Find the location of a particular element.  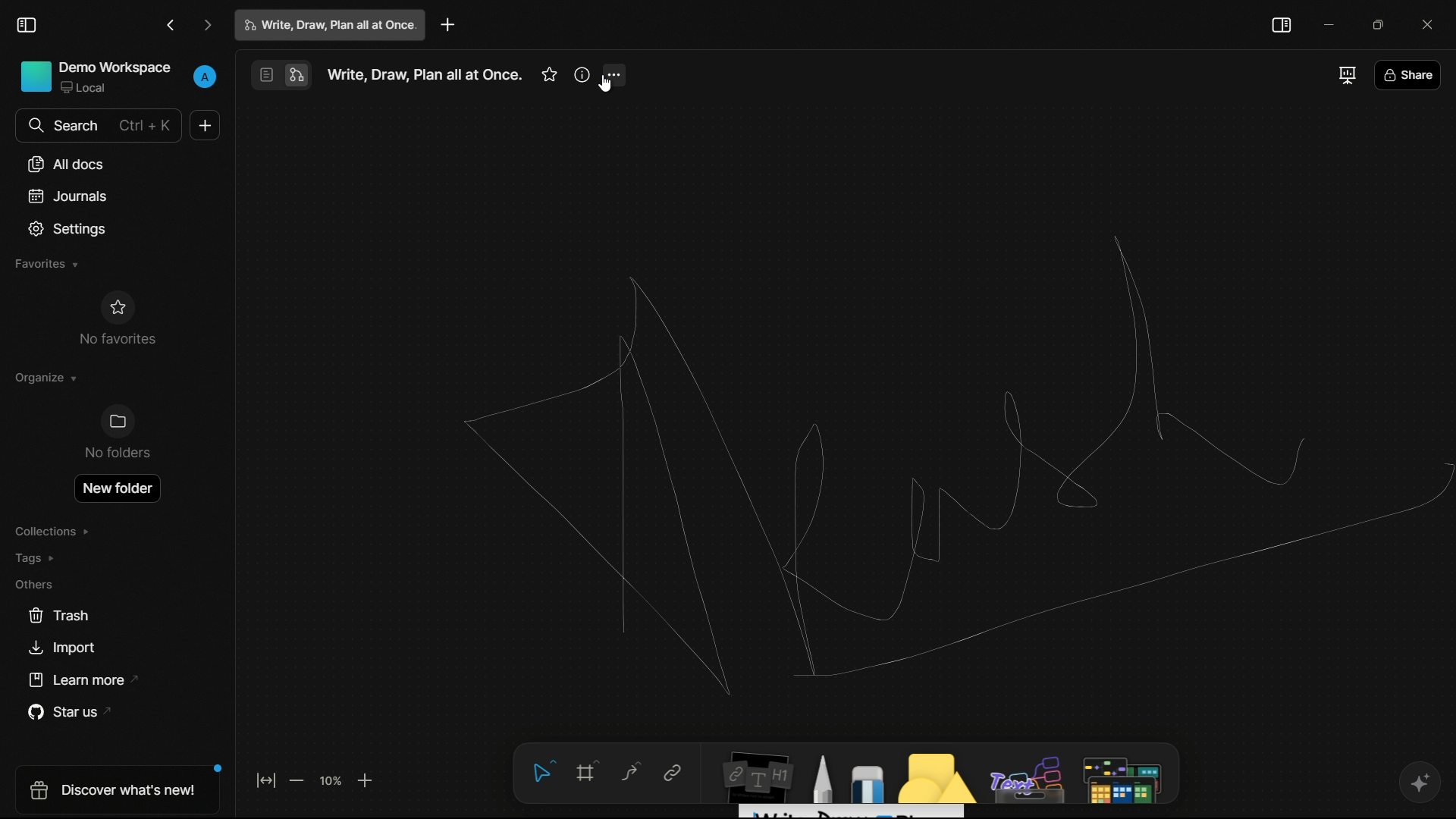

full screen is located at coordinates (1345, 77).